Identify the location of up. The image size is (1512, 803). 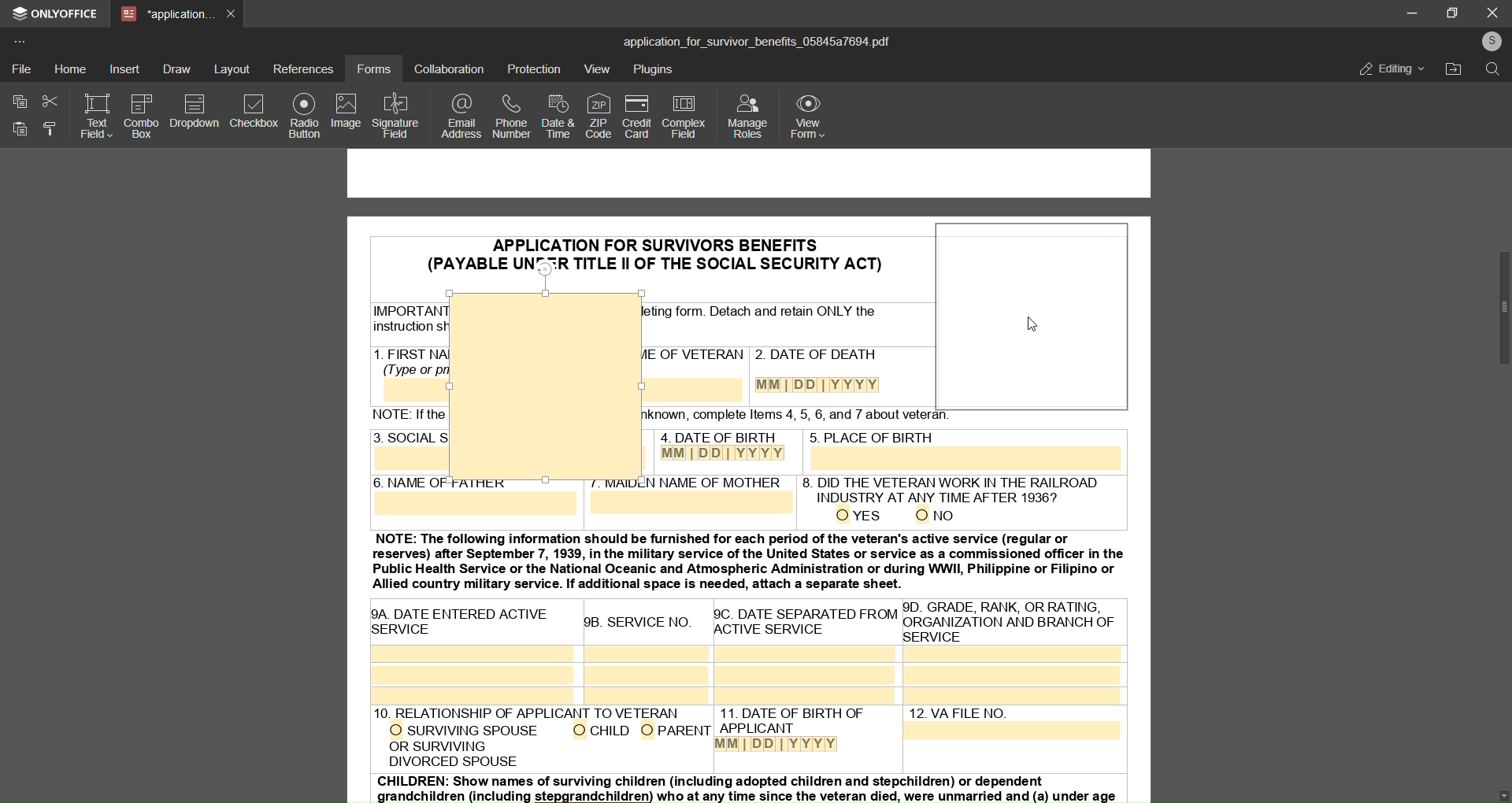
(1505, 94).